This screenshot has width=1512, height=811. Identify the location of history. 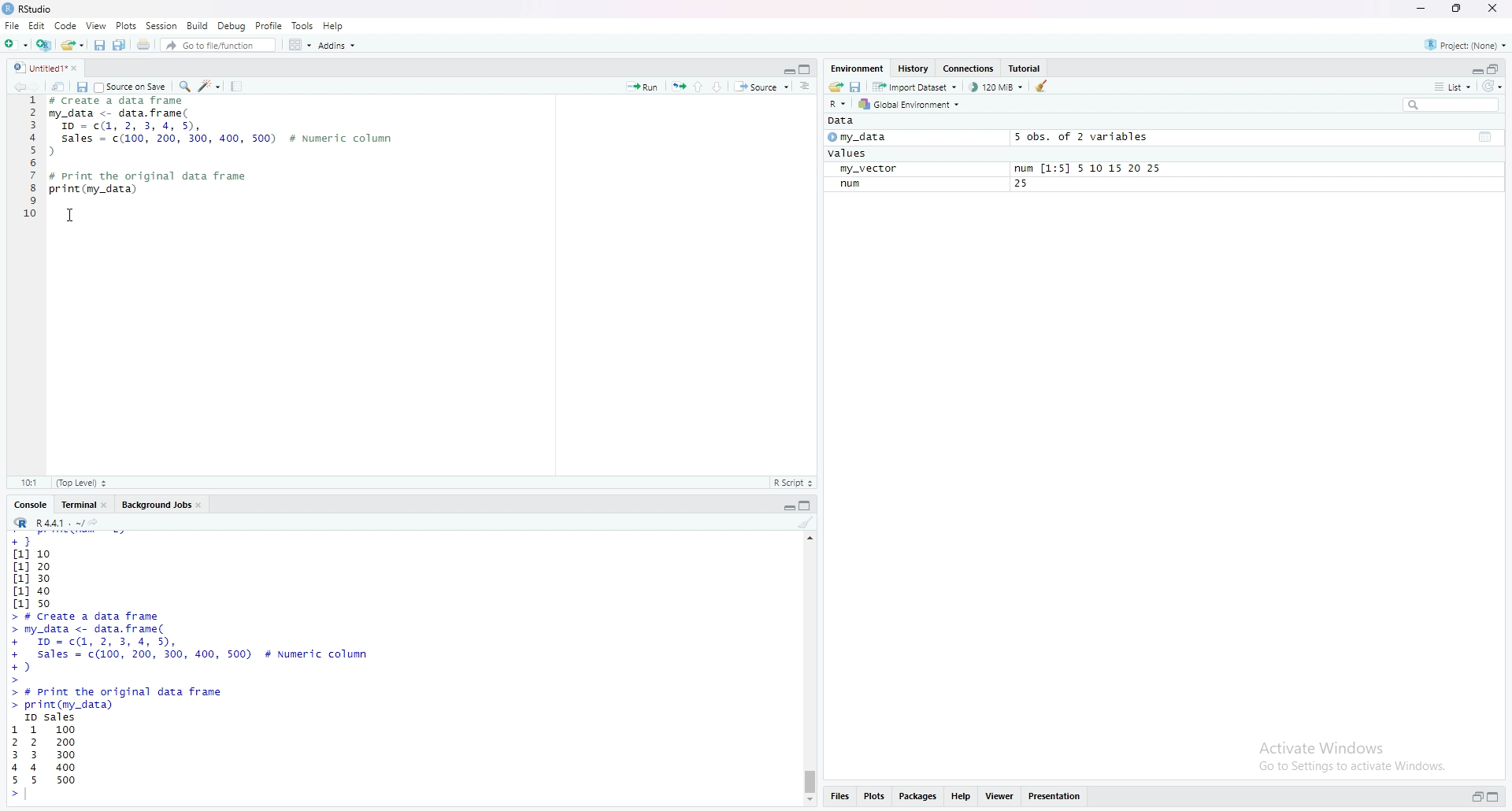
(913, 69).